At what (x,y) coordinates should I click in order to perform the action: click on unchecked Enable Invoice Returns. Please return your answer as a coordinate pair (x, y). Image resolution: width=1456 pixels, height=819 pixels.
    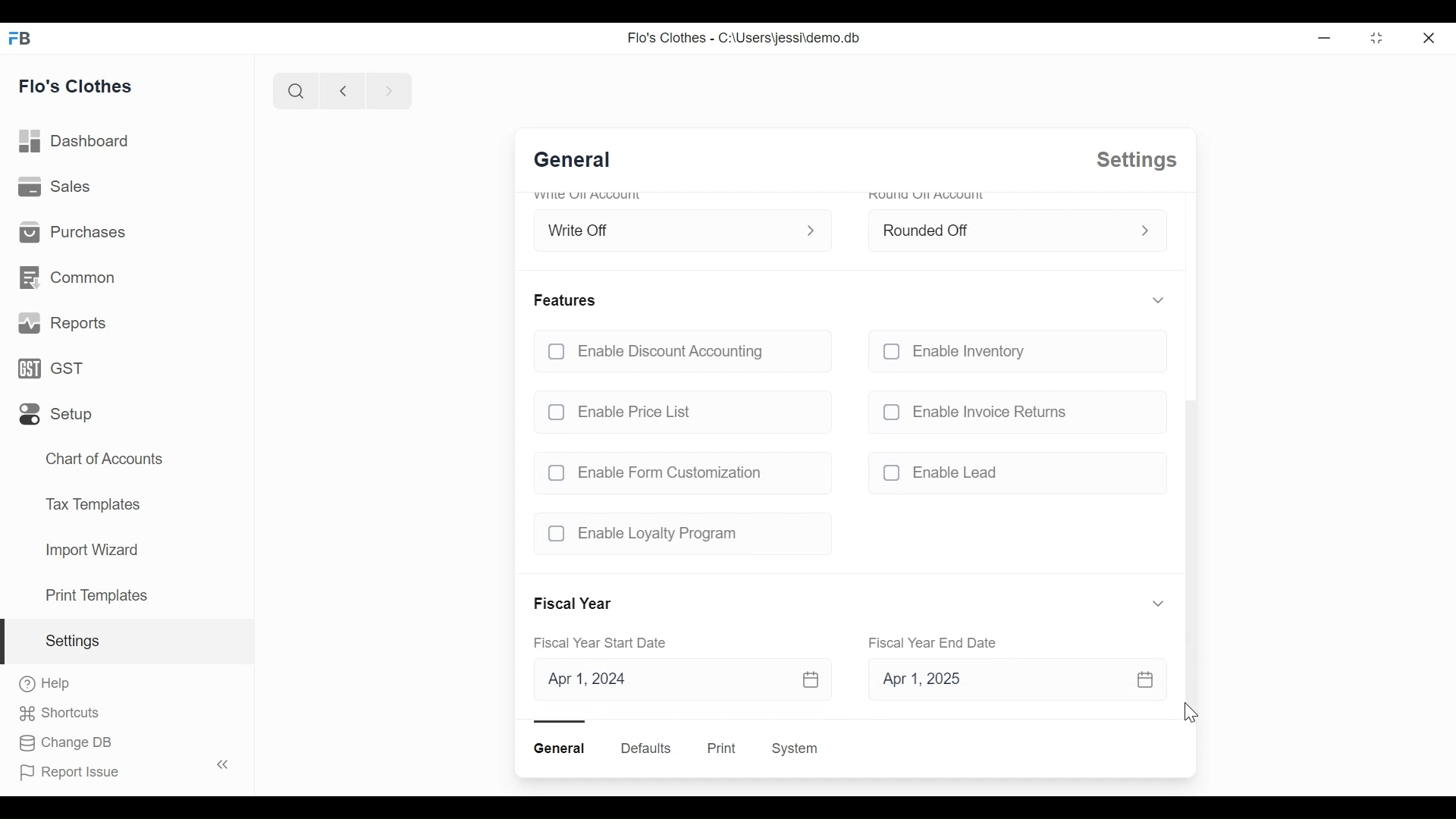
    Looking at the image, I should click on (1012, 411).